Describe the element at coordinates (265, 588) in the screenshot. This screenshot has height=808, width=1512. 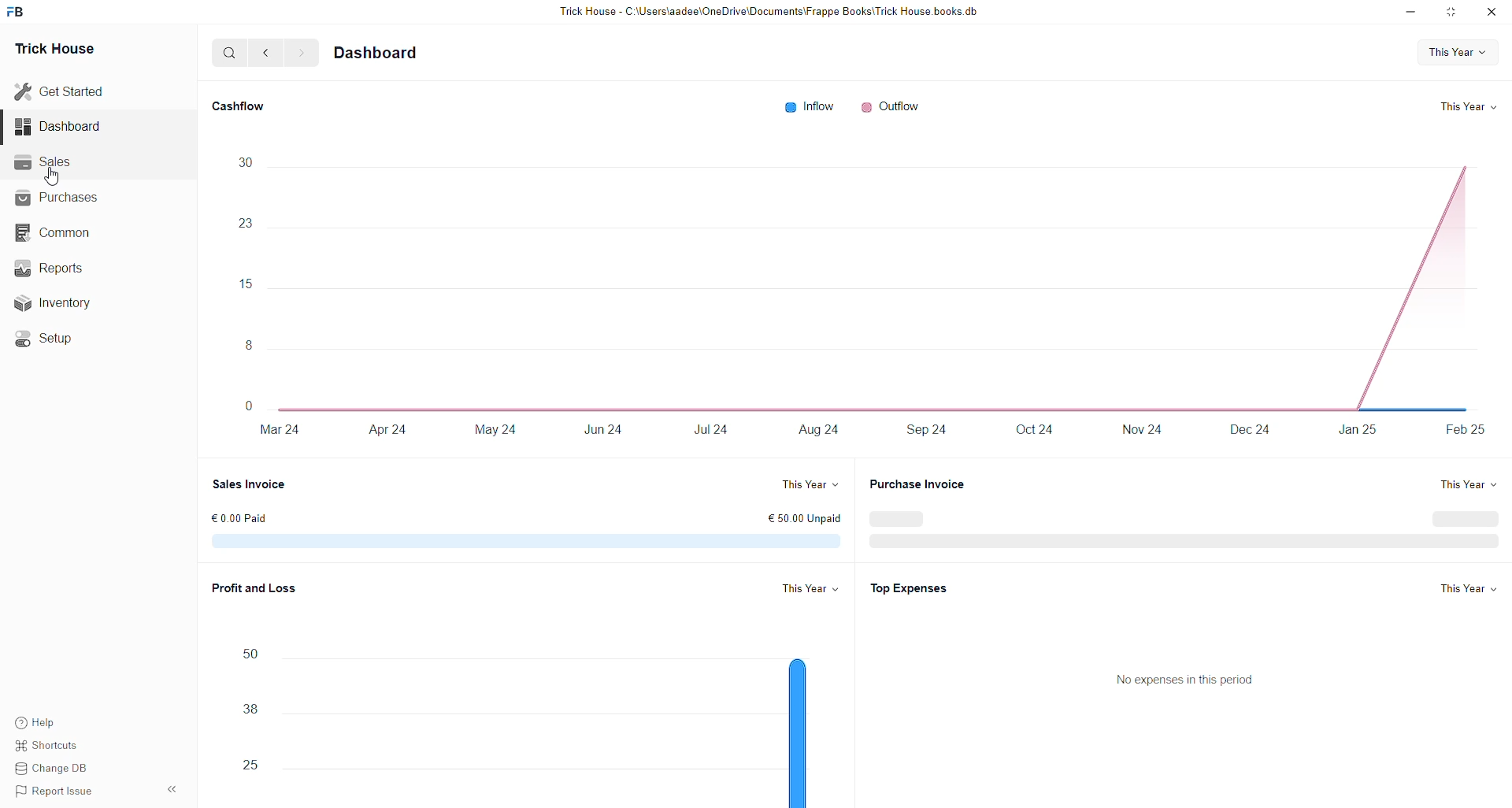
I see `Profit and Loss` at that location.